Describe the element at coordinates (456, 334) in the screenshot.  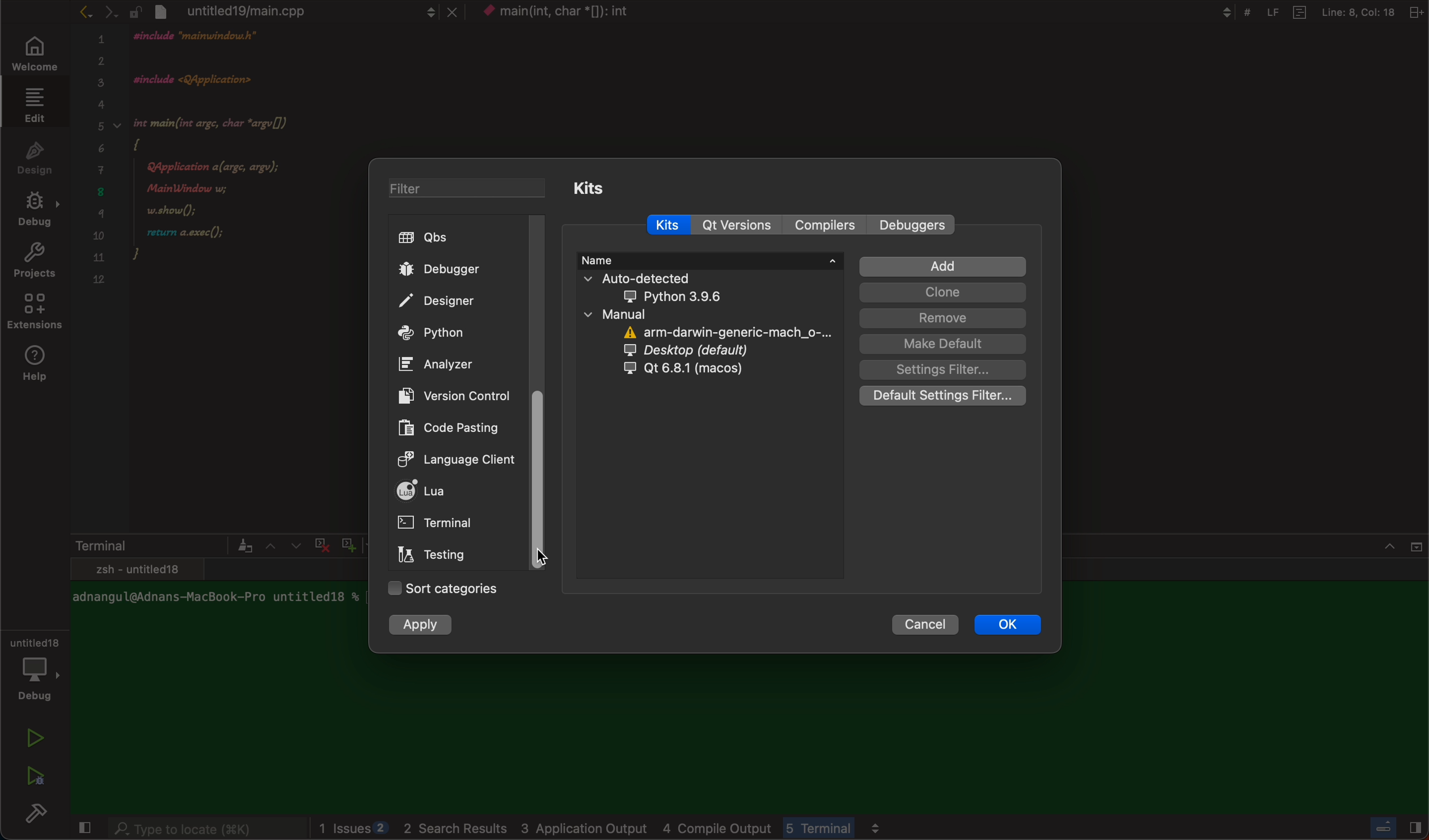
I see `python` at that location.